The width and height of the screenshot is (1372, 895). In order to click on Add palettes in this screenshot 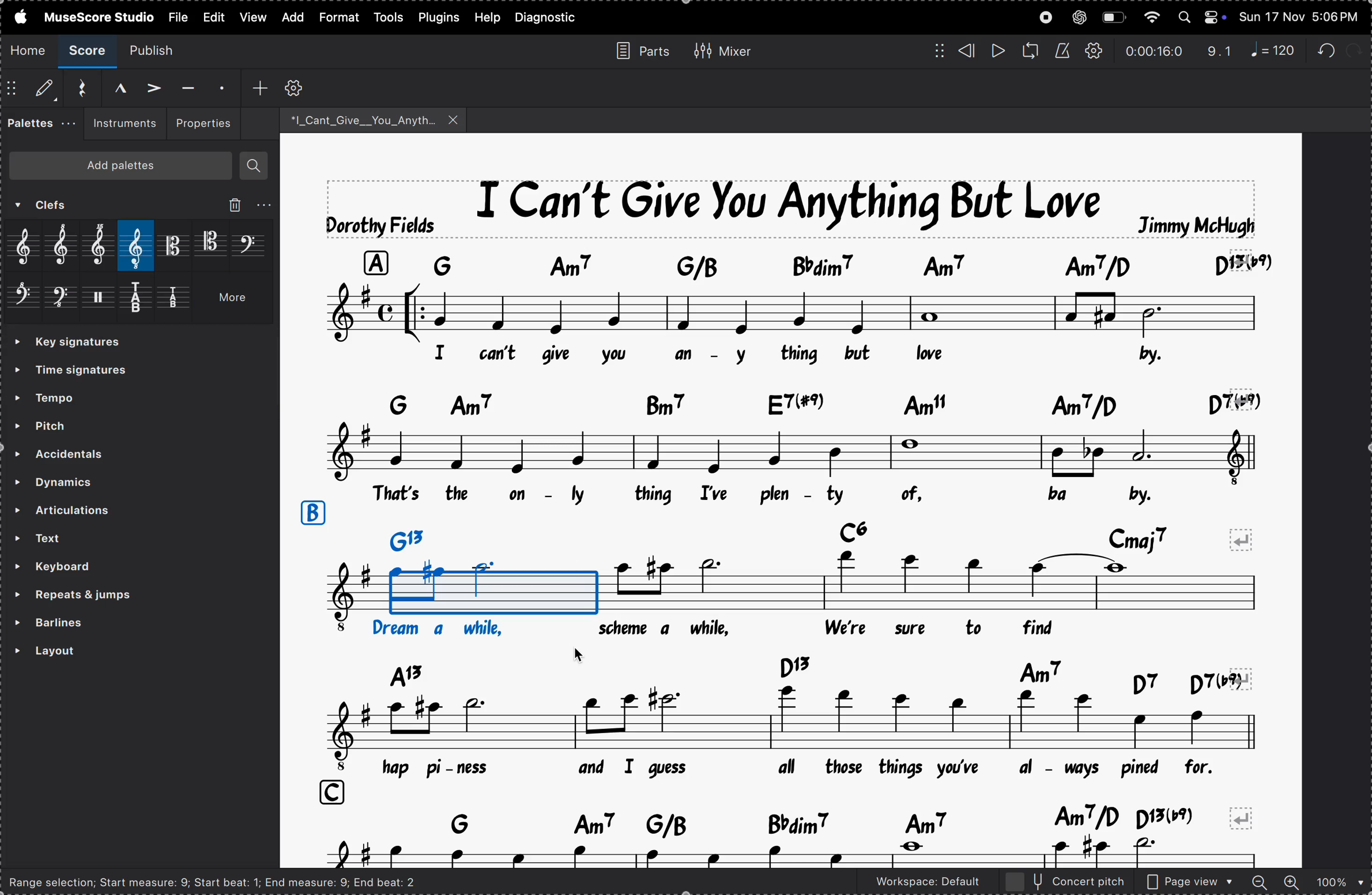, I will do `click(126, 168)`.